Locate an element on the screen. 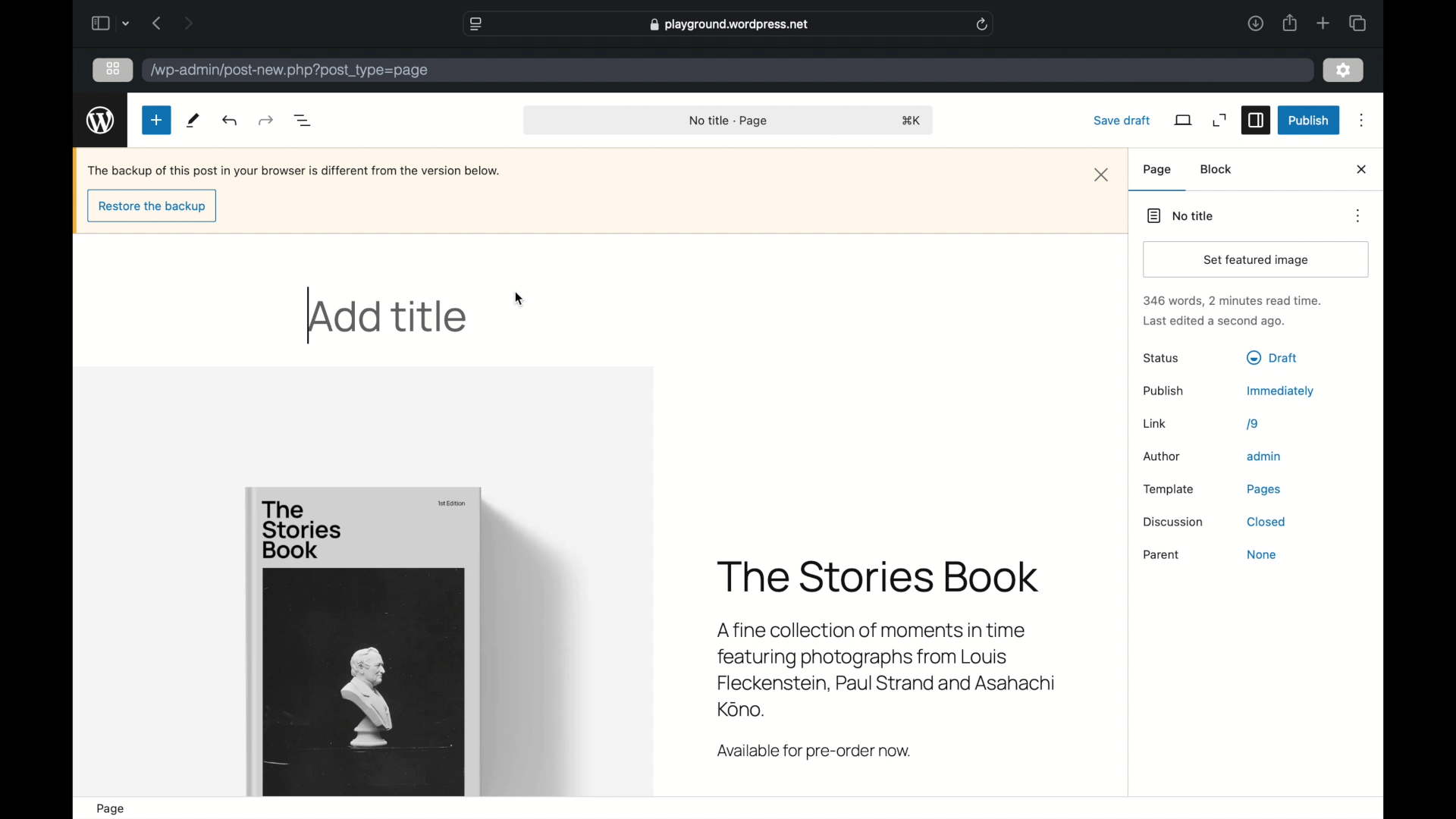 Image resolution: width=1456 pixels, height=819 pixels. admin is located at coordinates (1265, 457).